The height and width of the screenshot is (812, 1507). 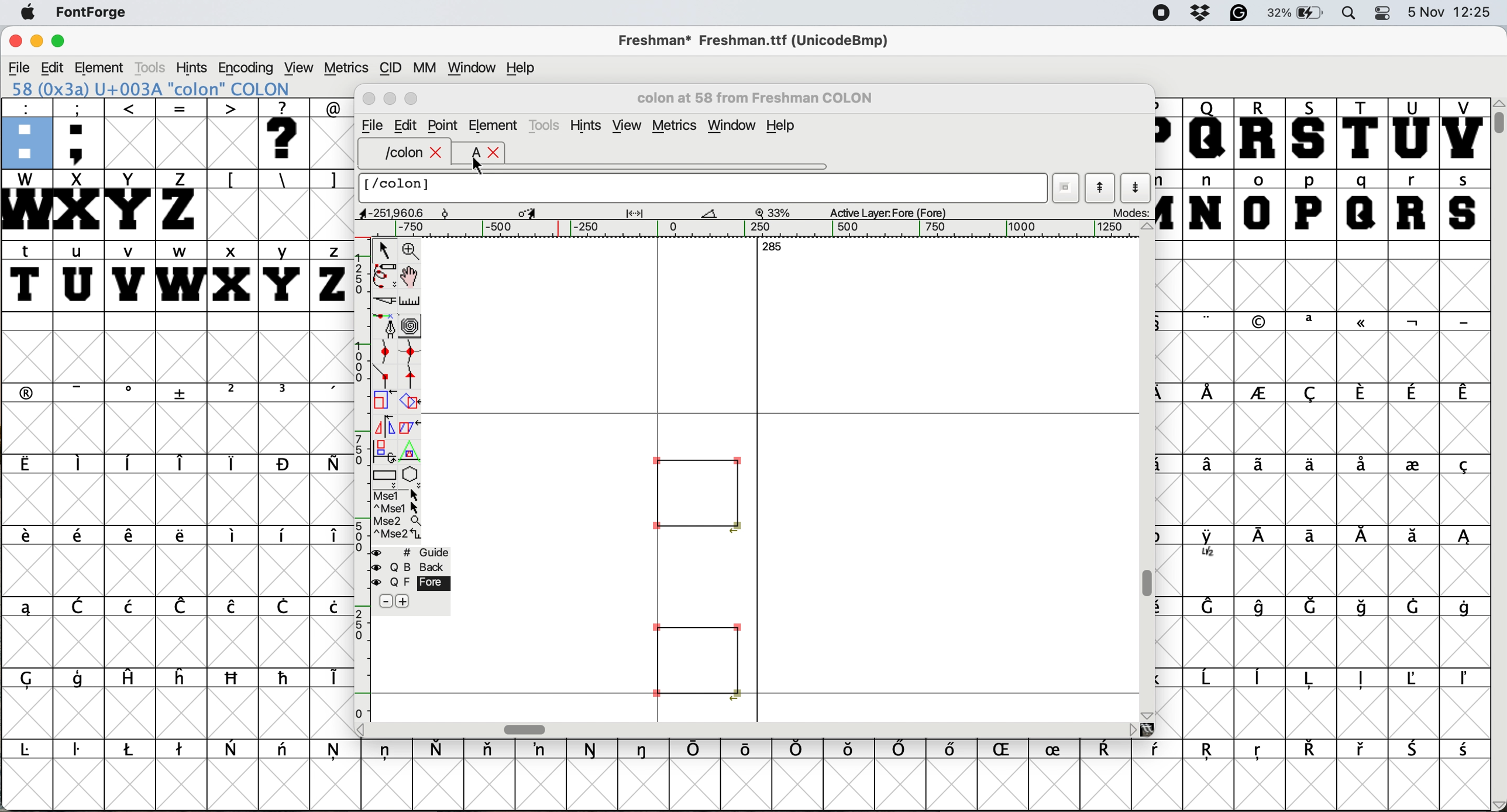 What do you see at coordinates (384, 400) in the screenshot?
I see `scale the selection` at bounding box center [384, 400].